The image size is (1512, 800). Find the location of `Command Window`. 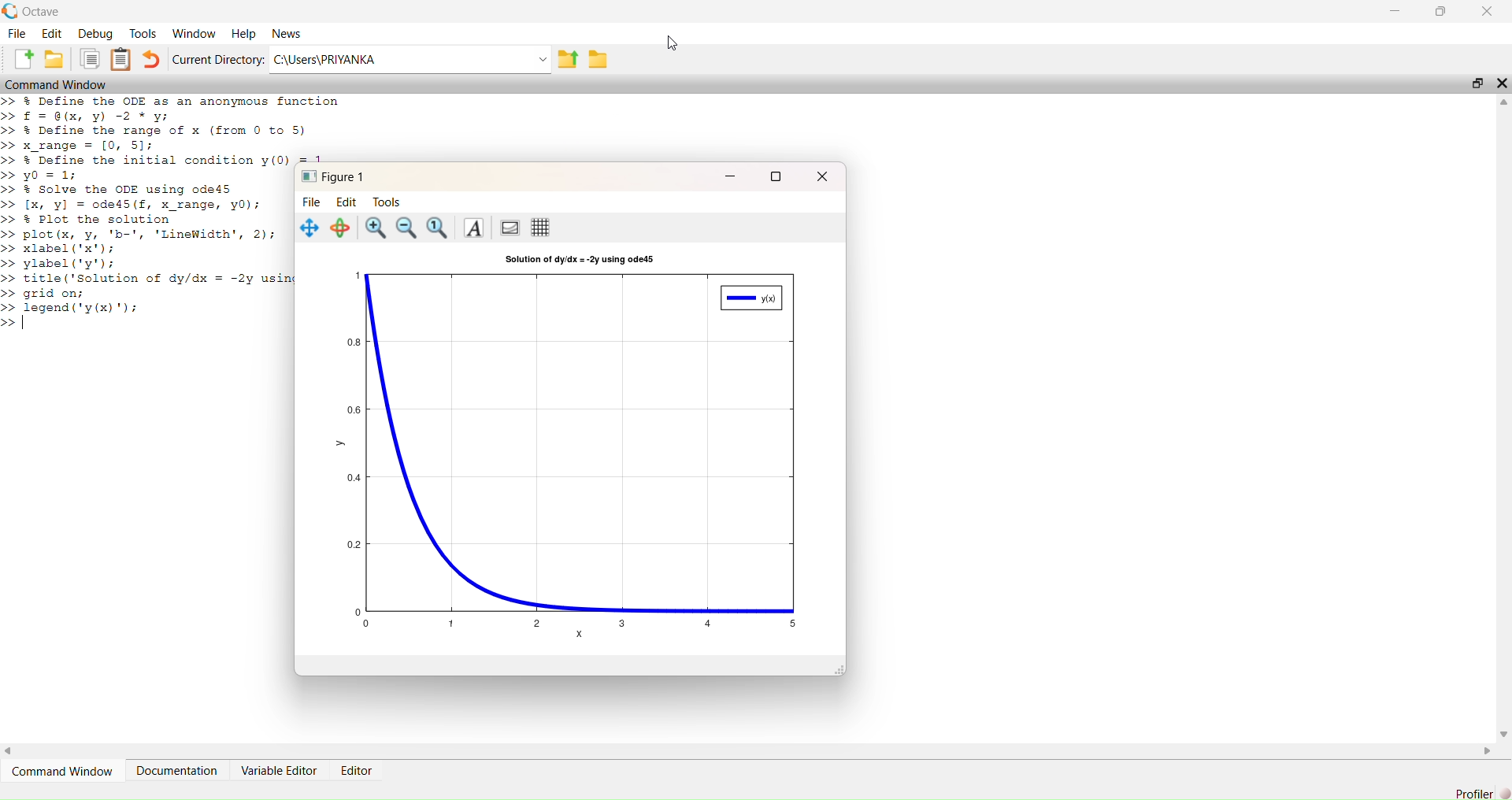

Command Window is located at coordinates (62, 771).